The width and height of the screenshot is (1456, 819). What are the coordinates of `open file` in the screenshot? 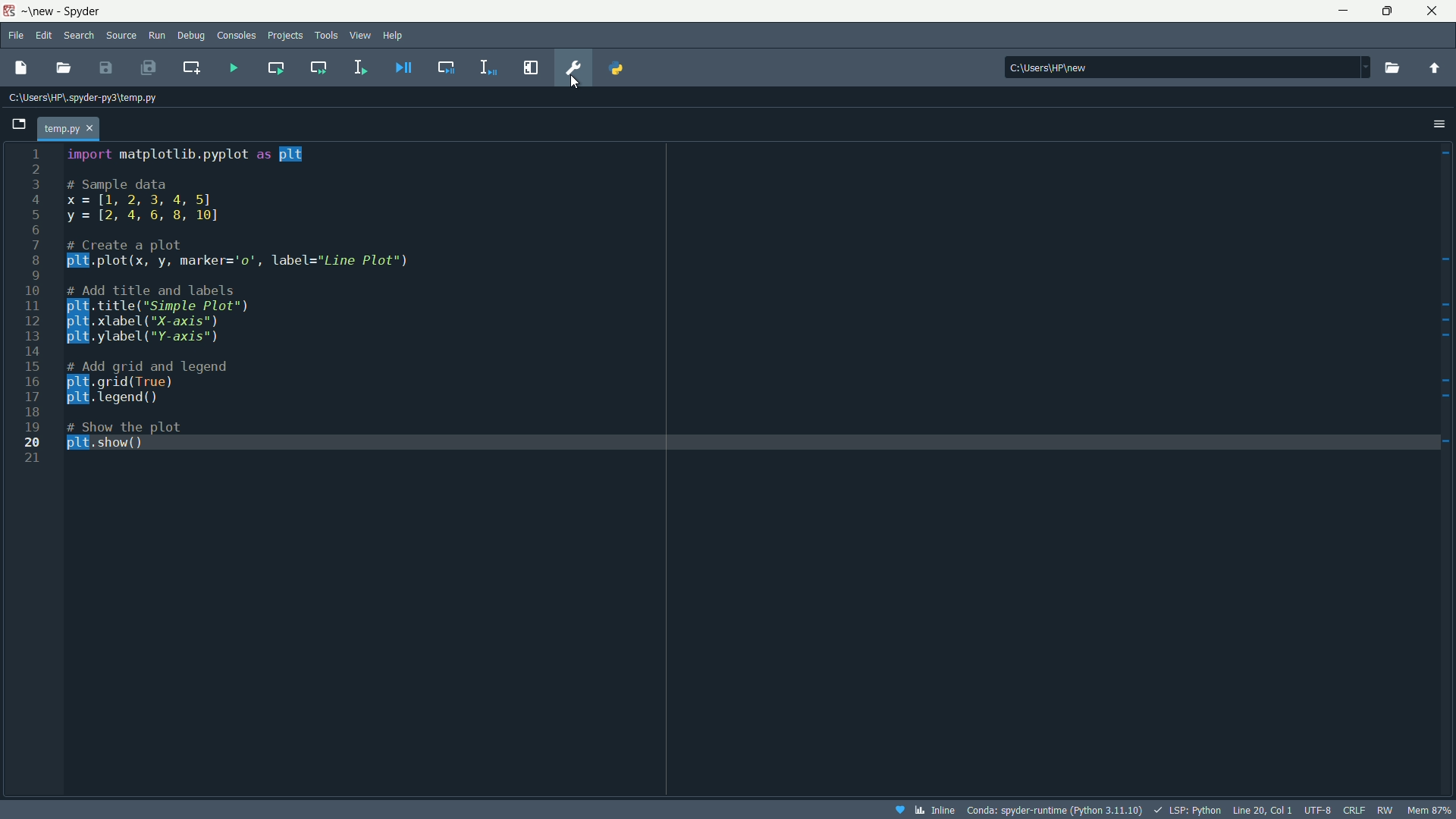 It's located at (64, 68).